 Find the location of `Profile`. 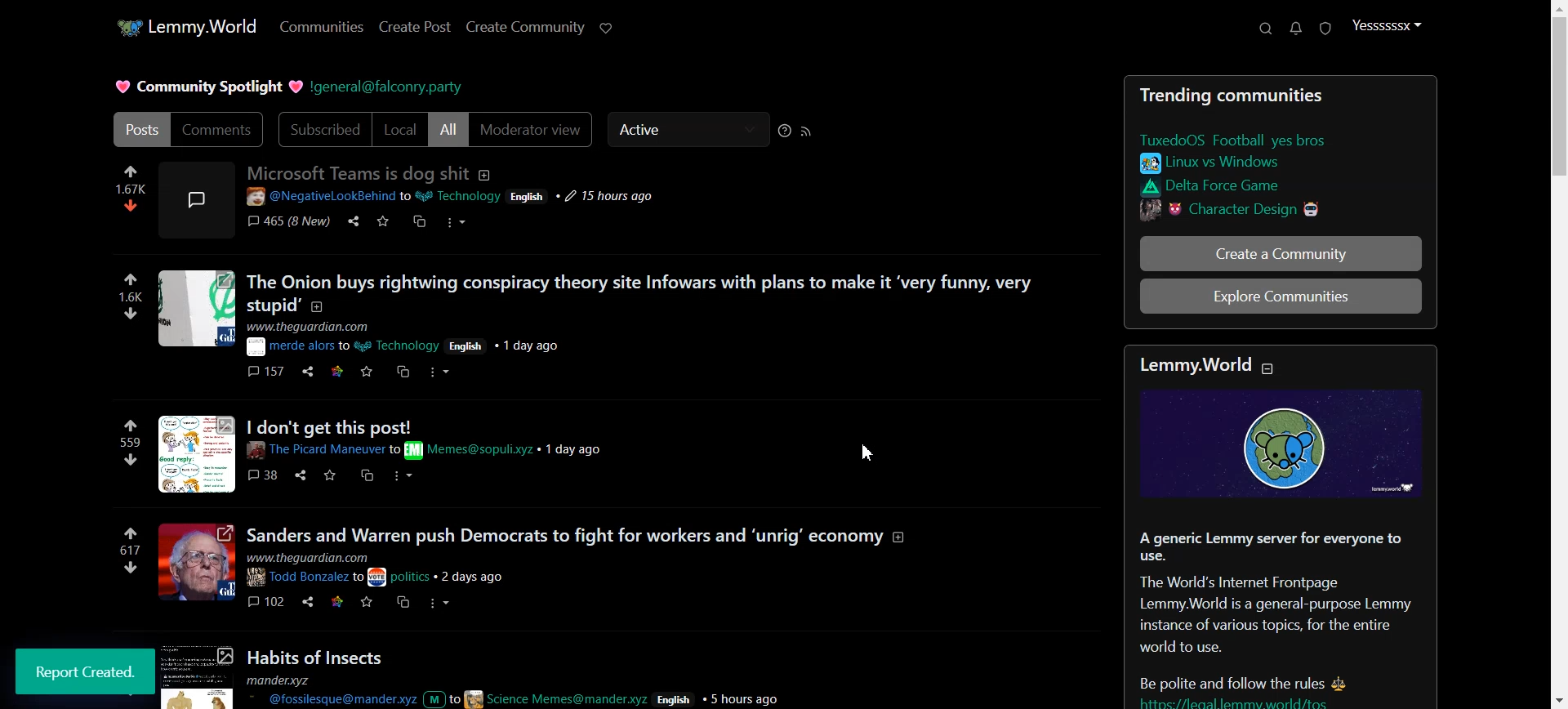

Profile is located at coordinates (1387, 25).